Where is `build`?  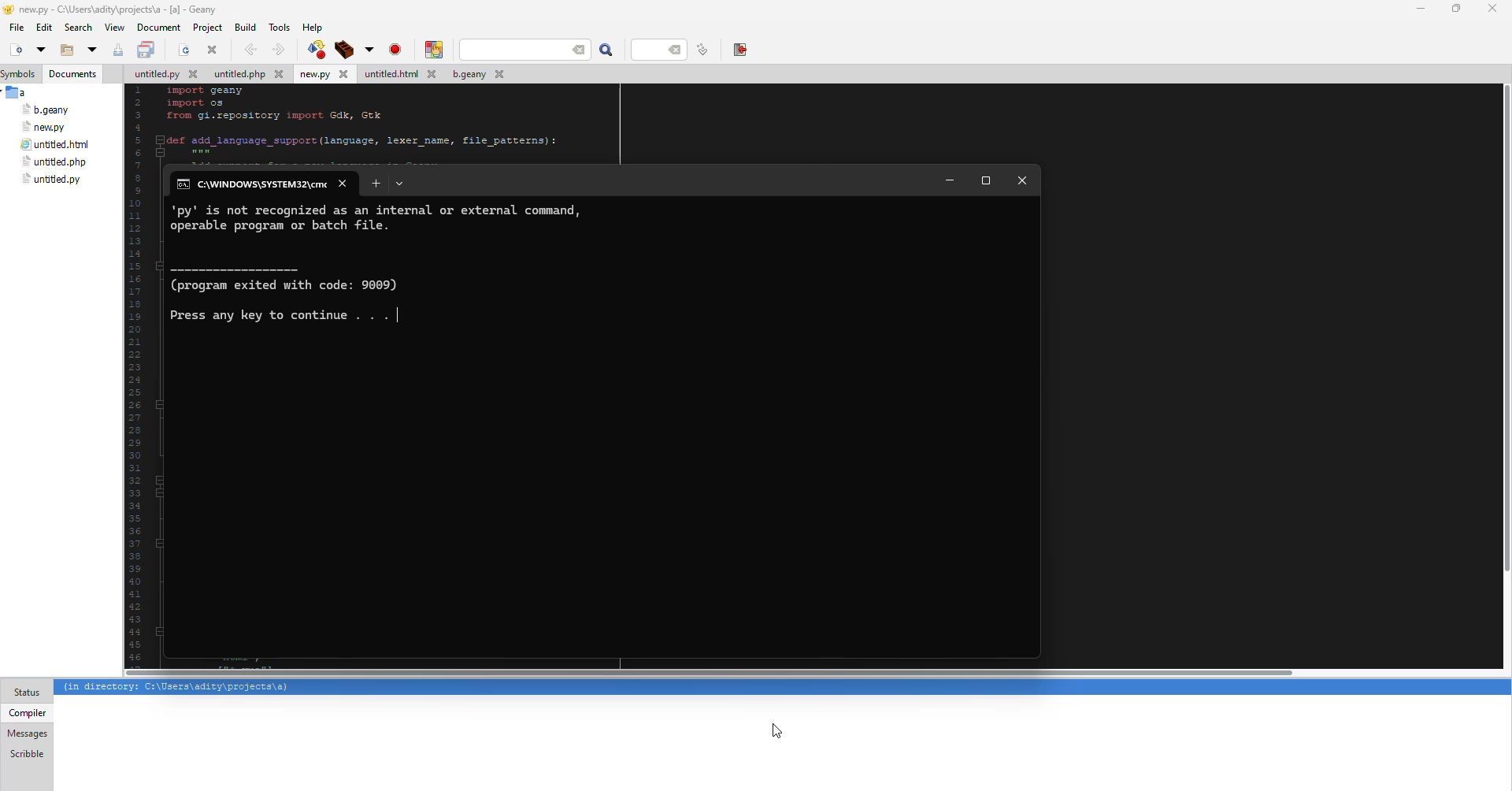
build is located at coordinates (245, 28).